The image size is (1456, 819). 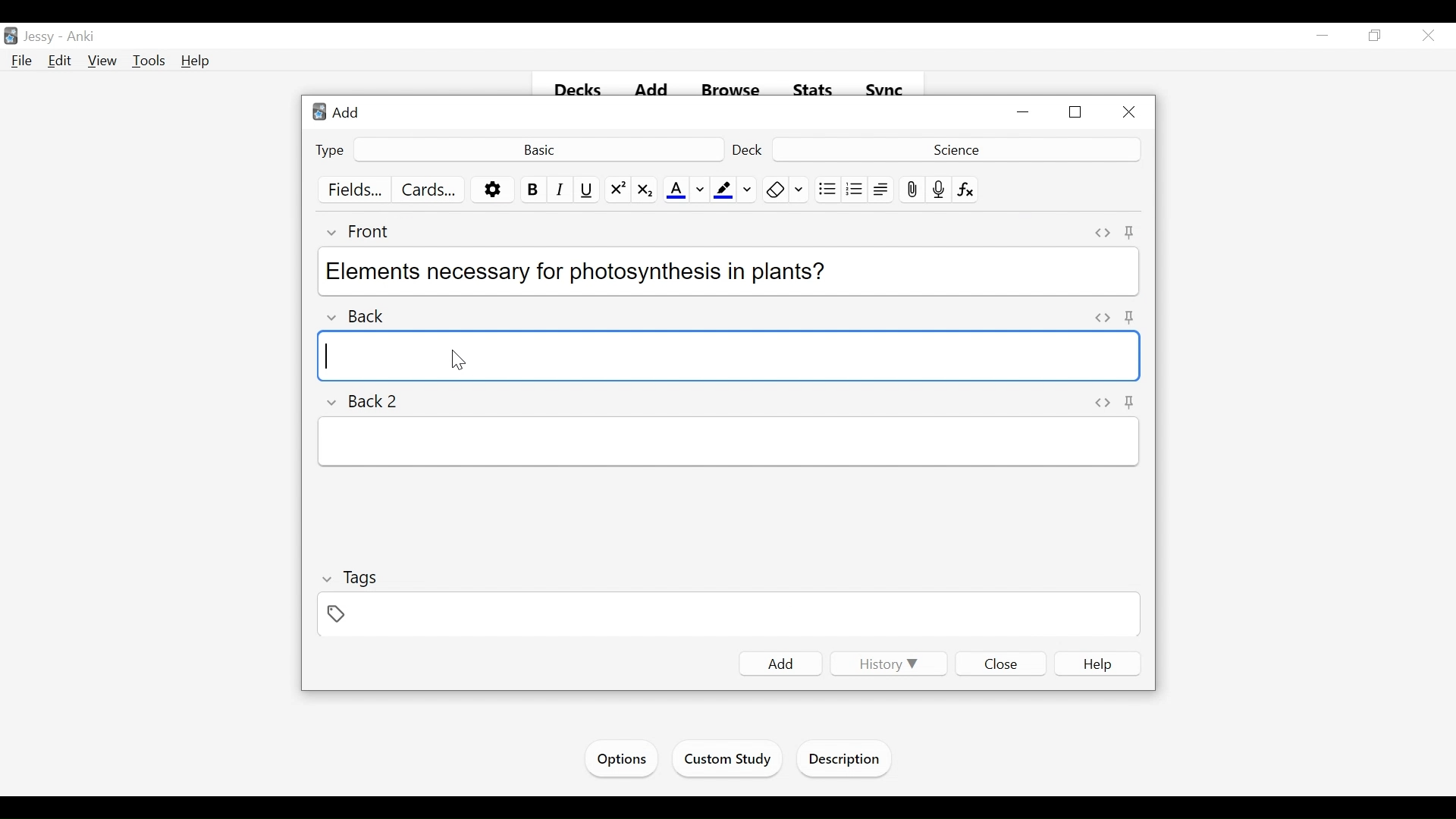 I want to click on Back Field, so click(x=726, y=357).